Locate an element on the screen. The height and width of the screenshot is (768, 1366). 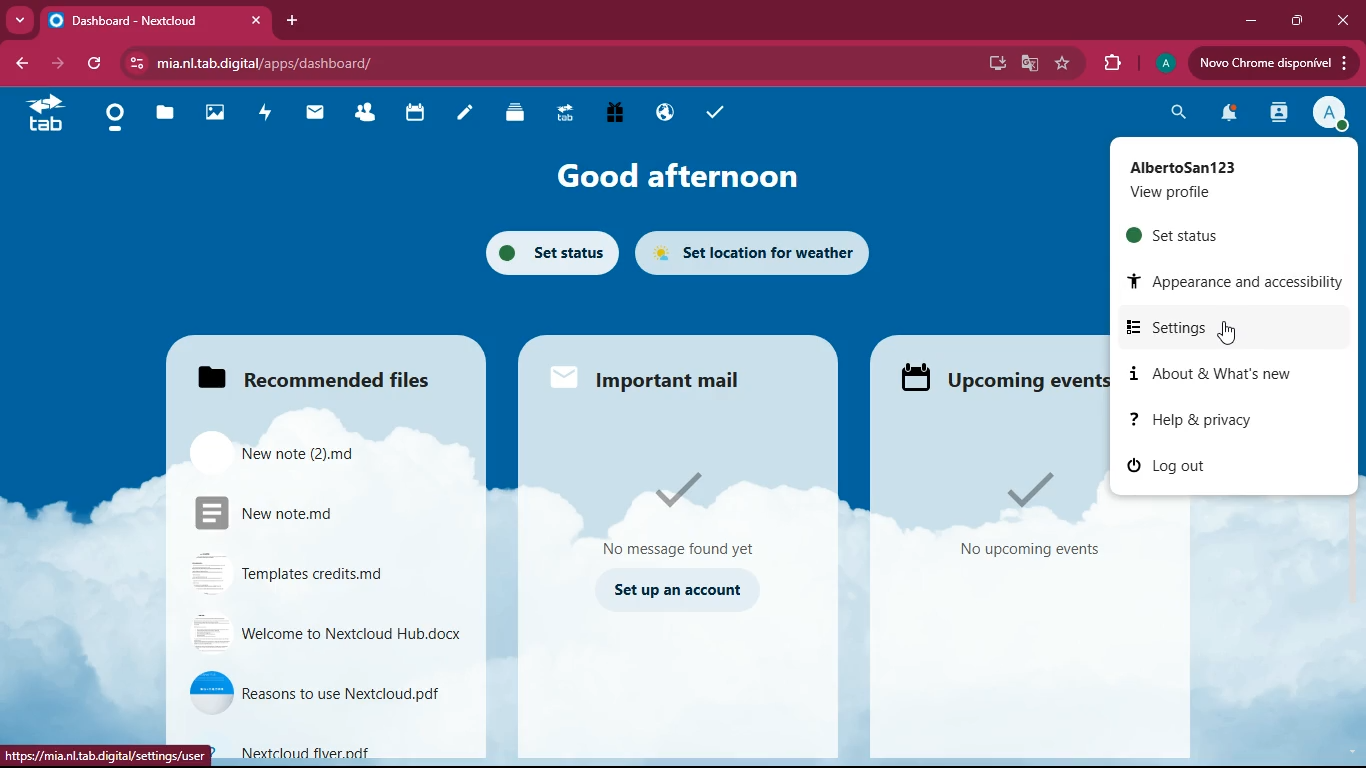
file is located at coordinates (346, 750).